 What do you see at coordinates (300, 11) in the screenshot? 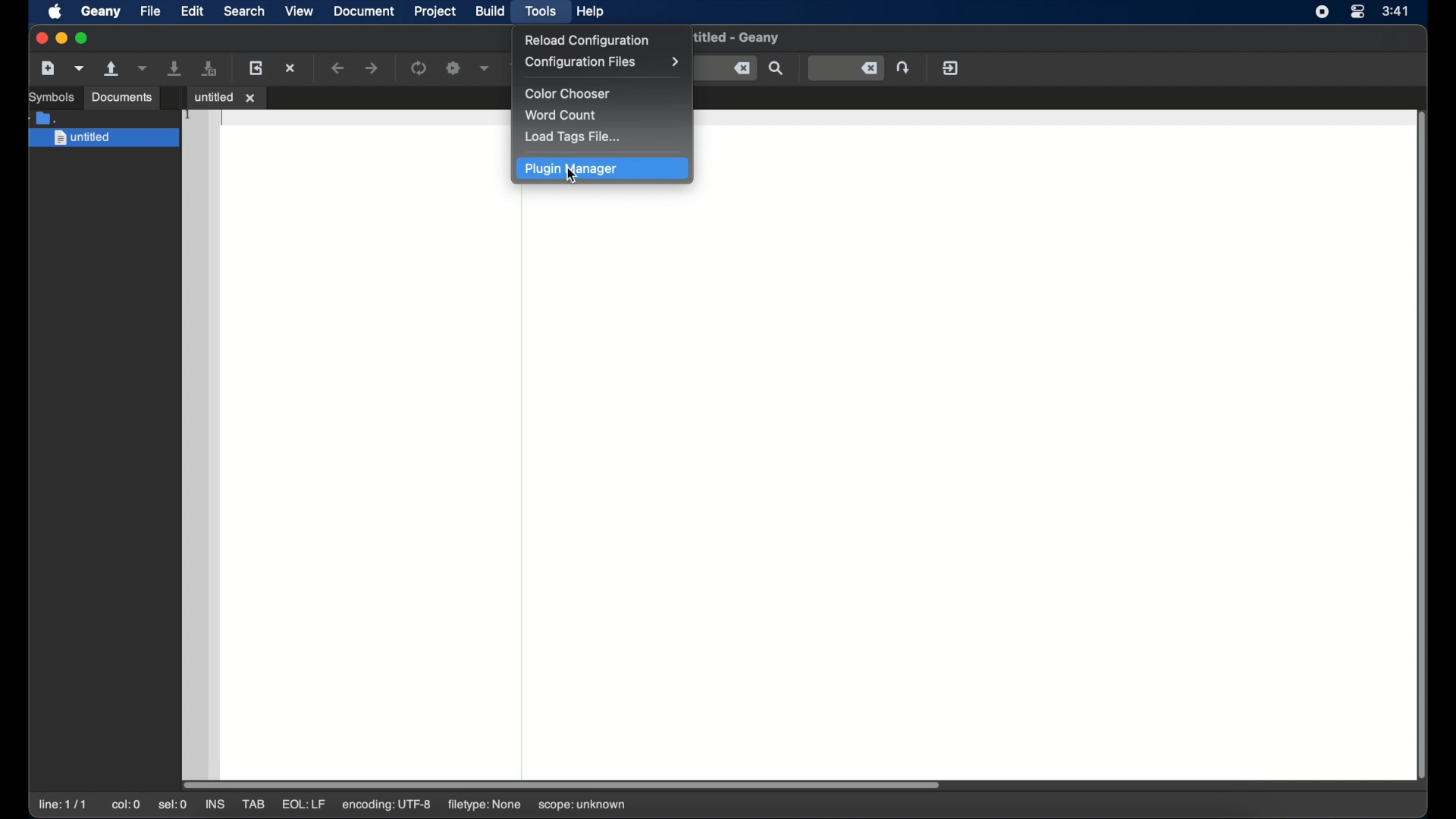
I see `view` at bounding box center [300, 11].